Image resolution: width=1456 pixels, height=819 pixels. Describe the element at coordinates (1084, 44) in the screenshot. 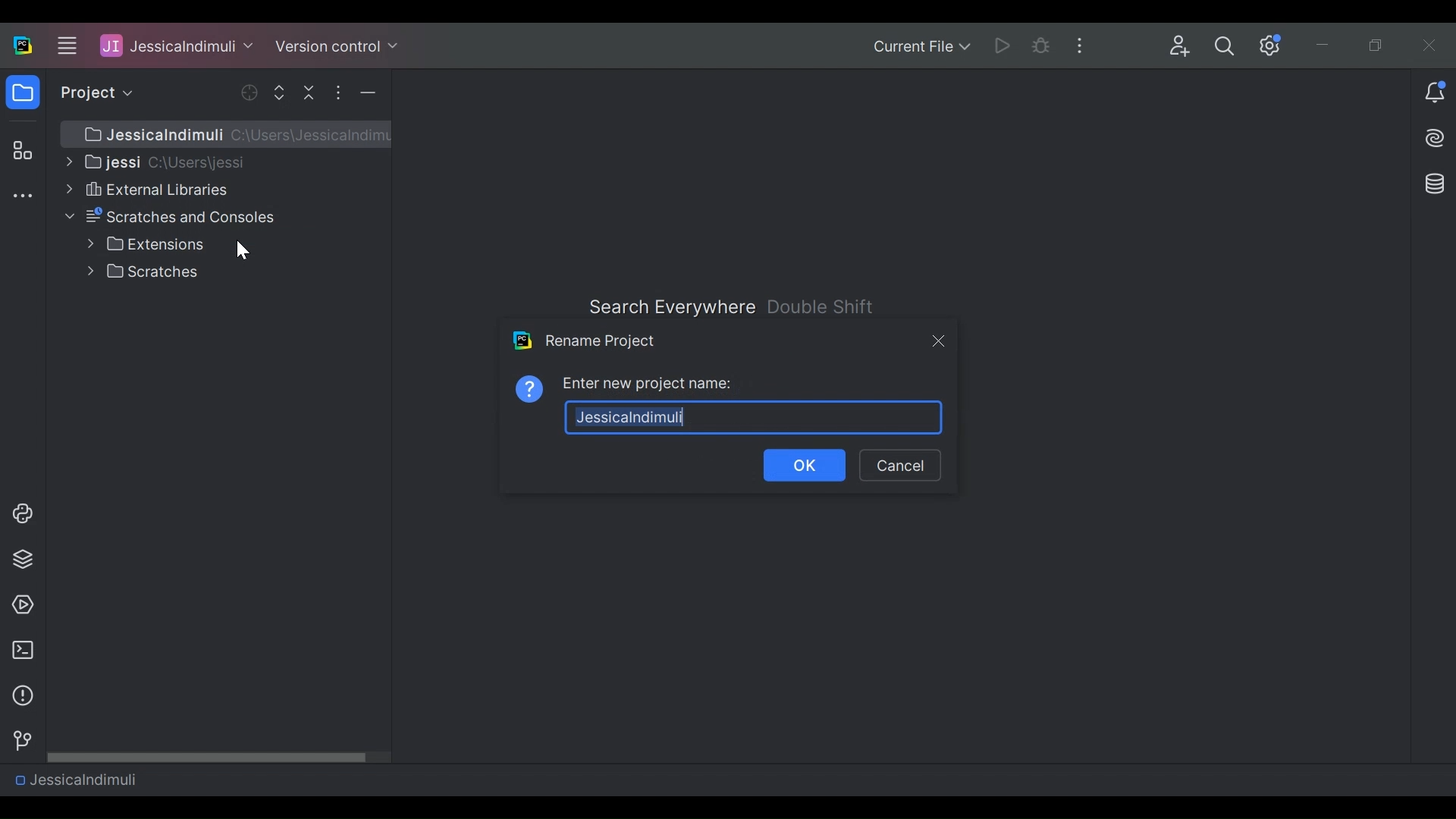

I see `More Options` at that location.